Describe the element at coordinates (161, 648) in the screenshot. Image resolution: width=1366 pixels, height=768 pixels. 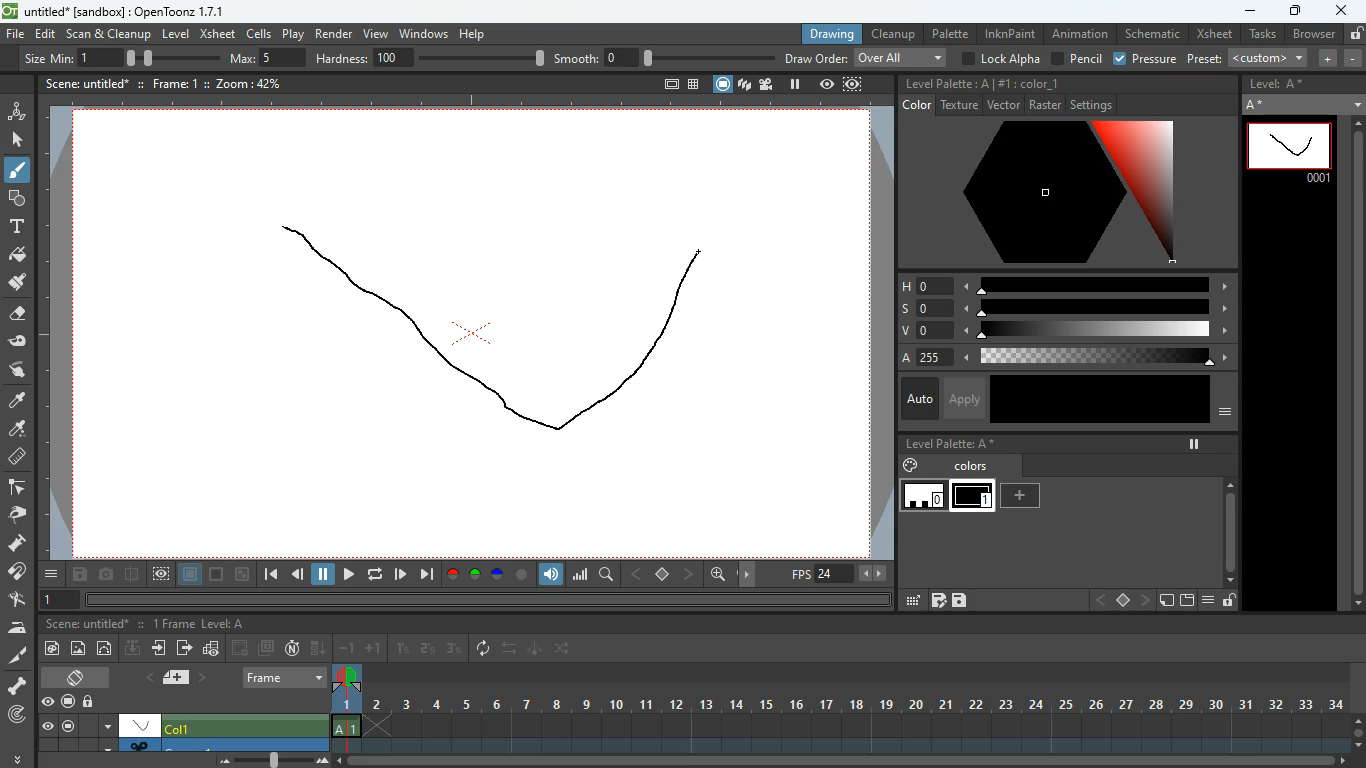
I see `move` at that location.